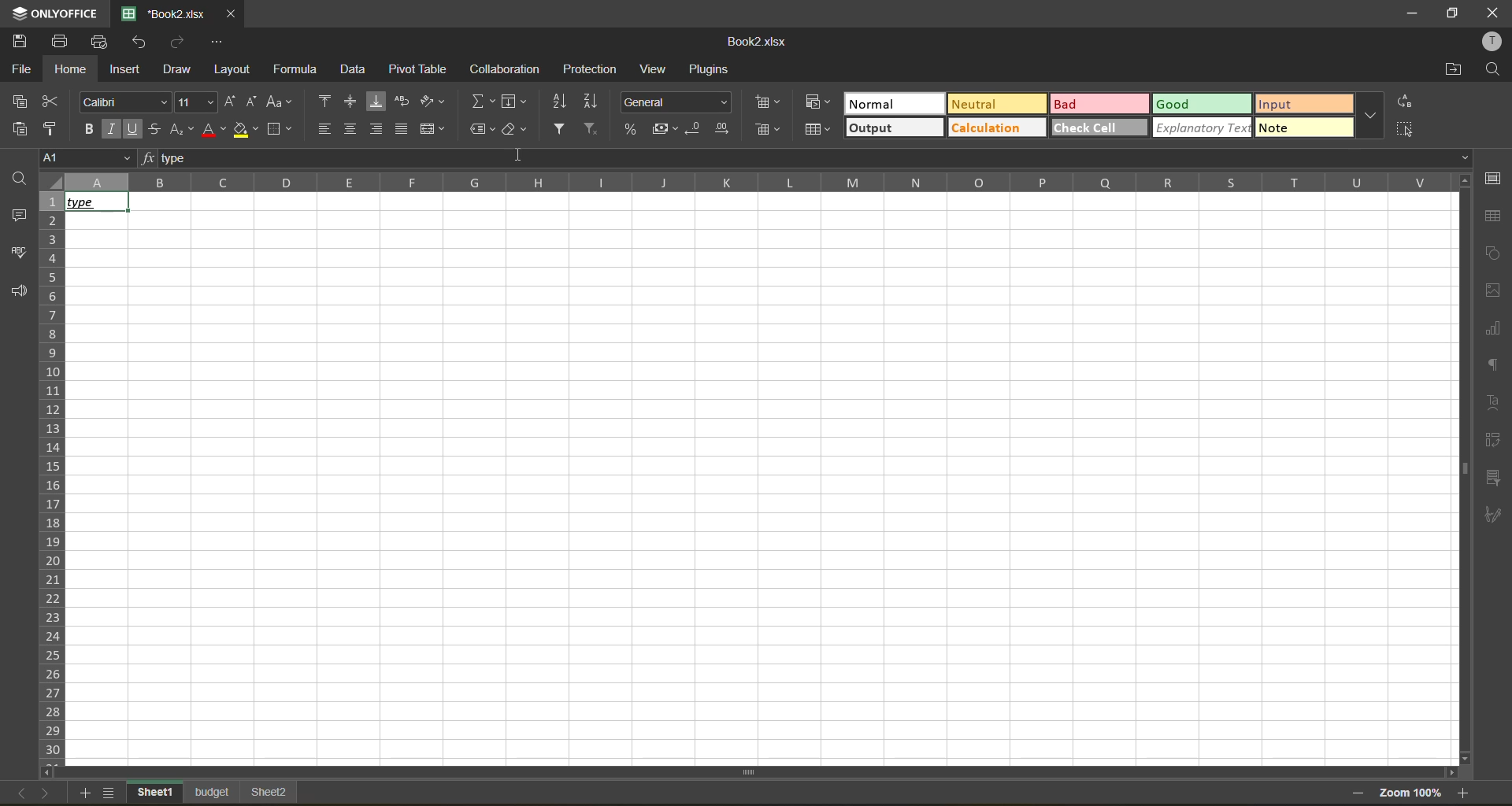 The width and height of the screenshot is (1512, 806). Describe the element at coordinates (220, 42) in the screenshot. I see `customize quick access toolbar` at that location.